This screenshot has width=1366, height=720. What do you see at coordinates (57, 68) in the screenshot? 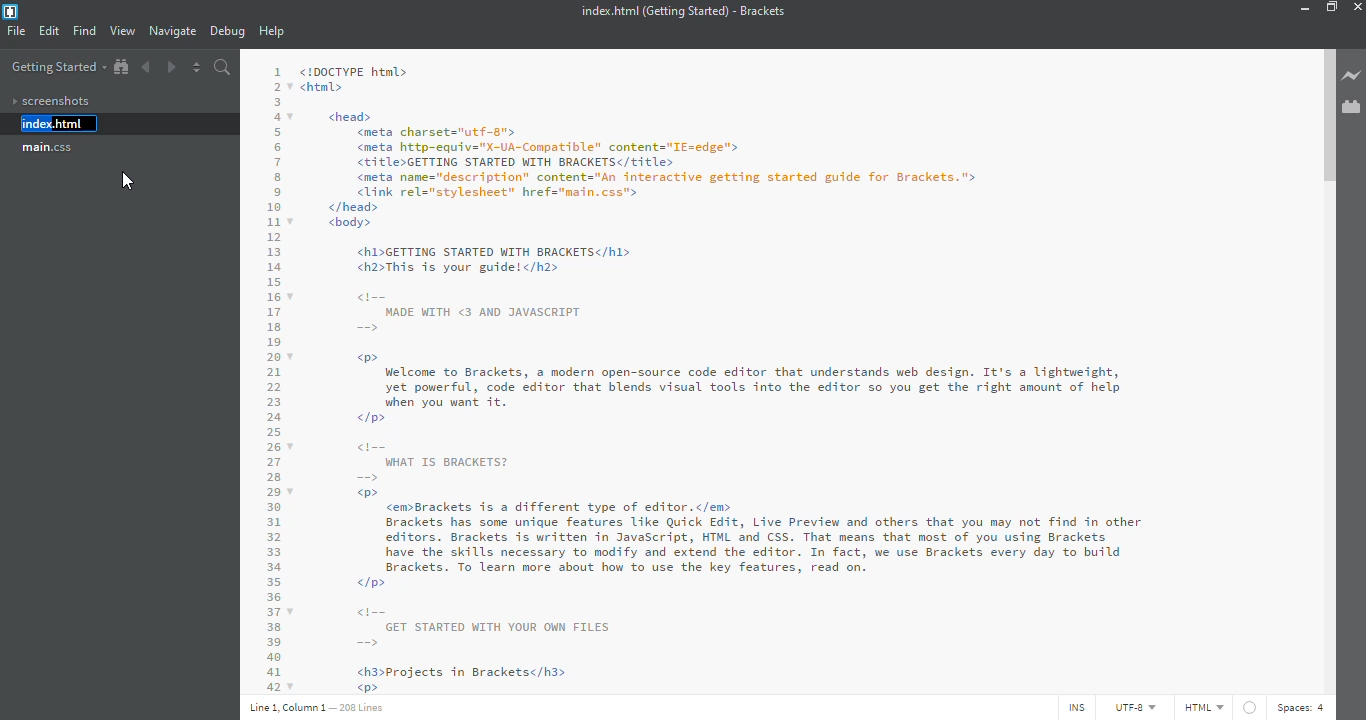
I see `getting started` at bounding box center [57, 68].